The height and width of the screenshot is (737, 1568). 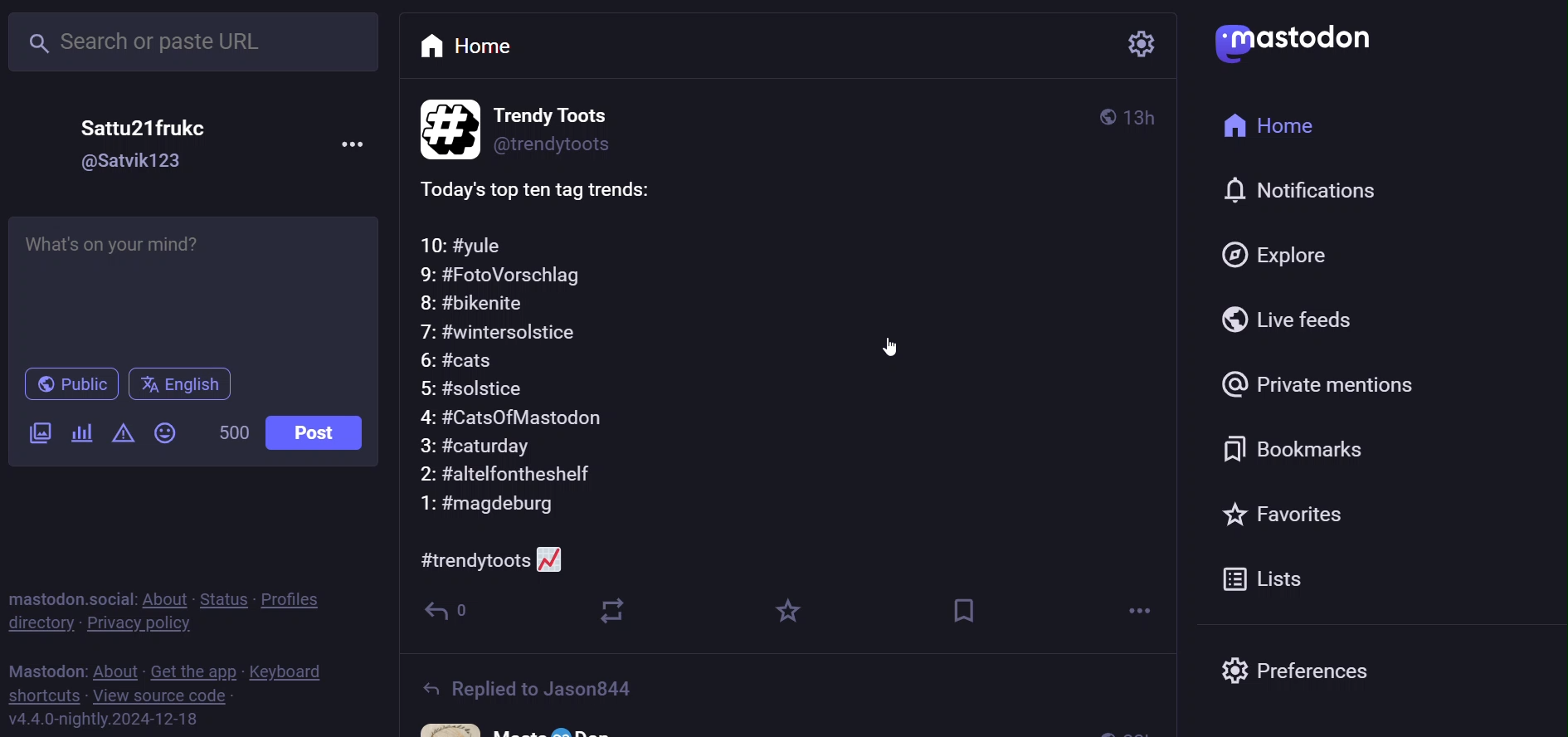 What do you see at coordinates (1131, 613) in the screenshot?
I see `more` at bounding box center [1131, 613].